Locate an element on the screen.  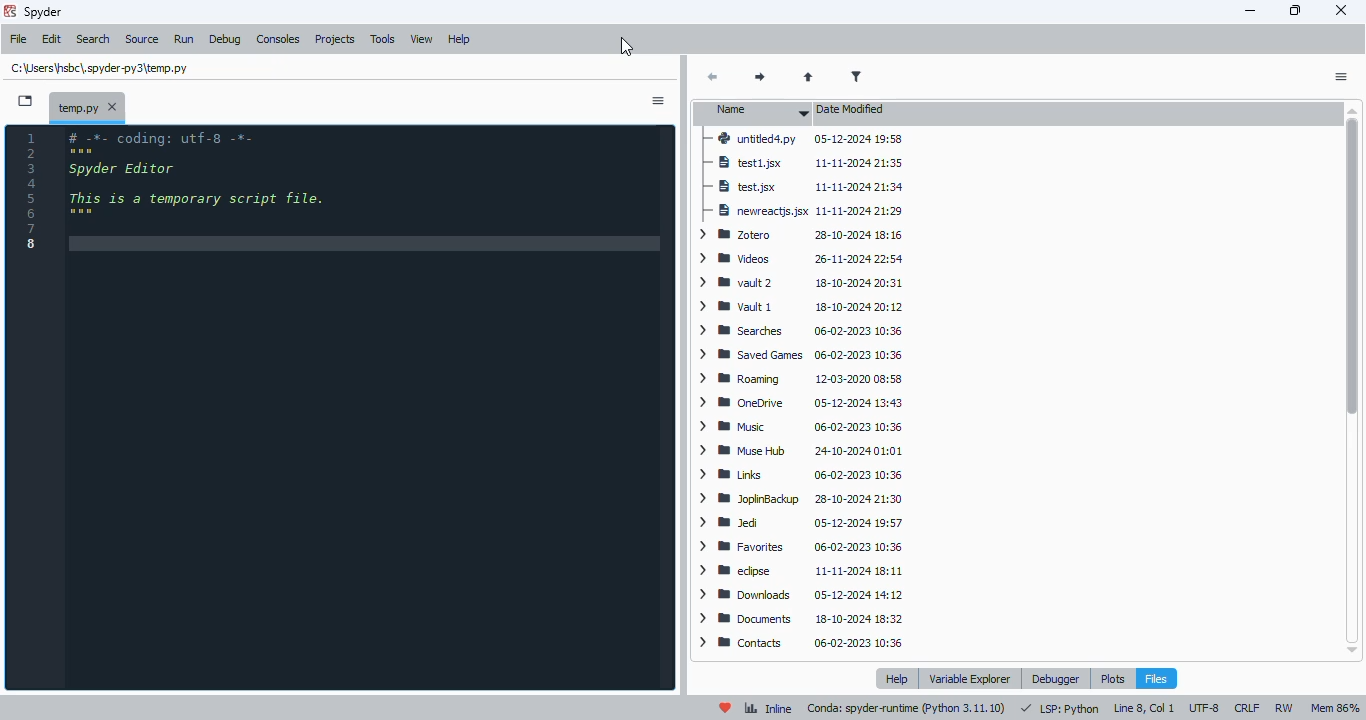
Roaming is located at coordinates (803, 380).